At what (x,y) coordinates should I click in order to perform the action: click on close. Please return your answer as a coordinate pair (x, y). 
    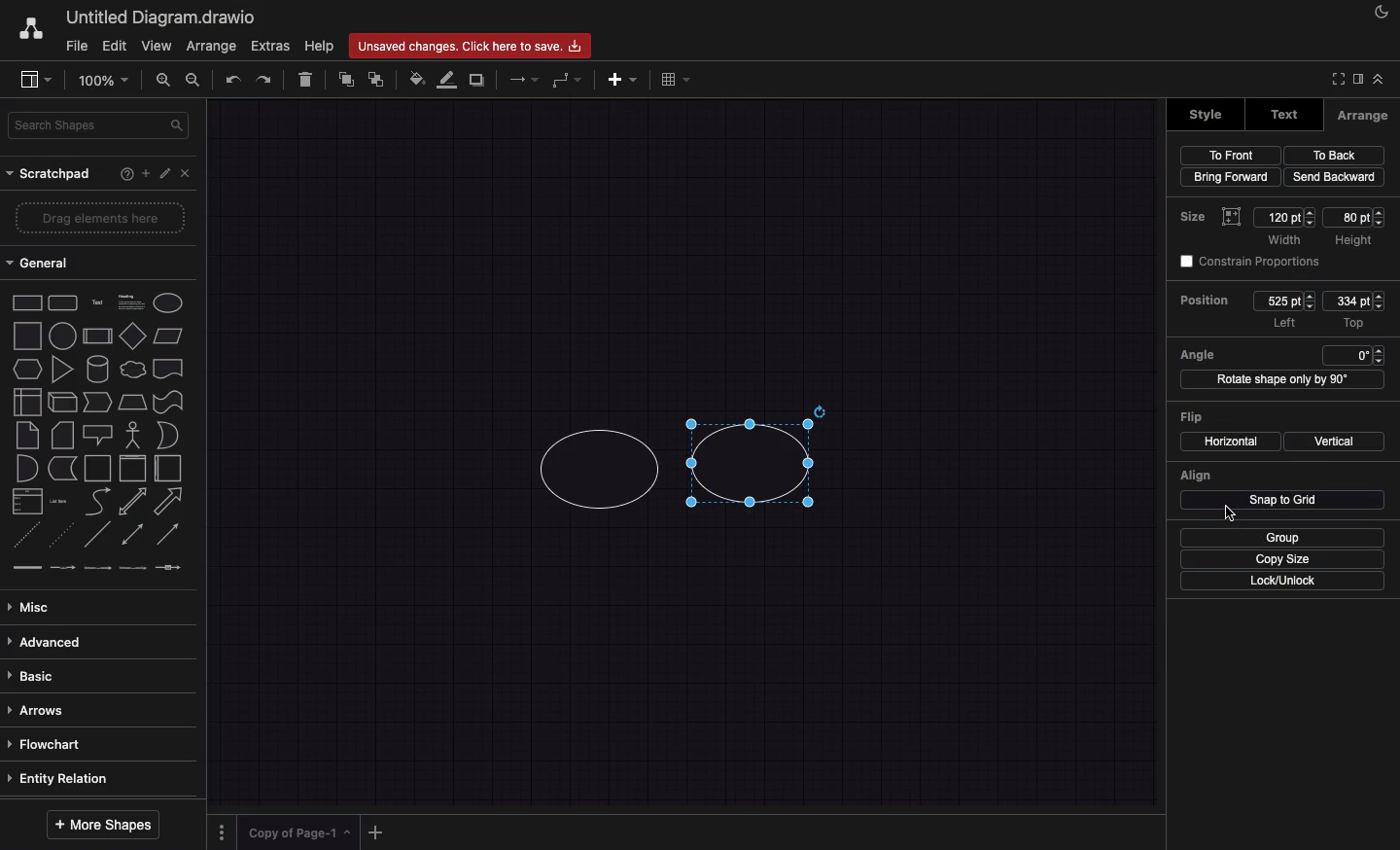
    Looking at the image, I should click on (187, 173).